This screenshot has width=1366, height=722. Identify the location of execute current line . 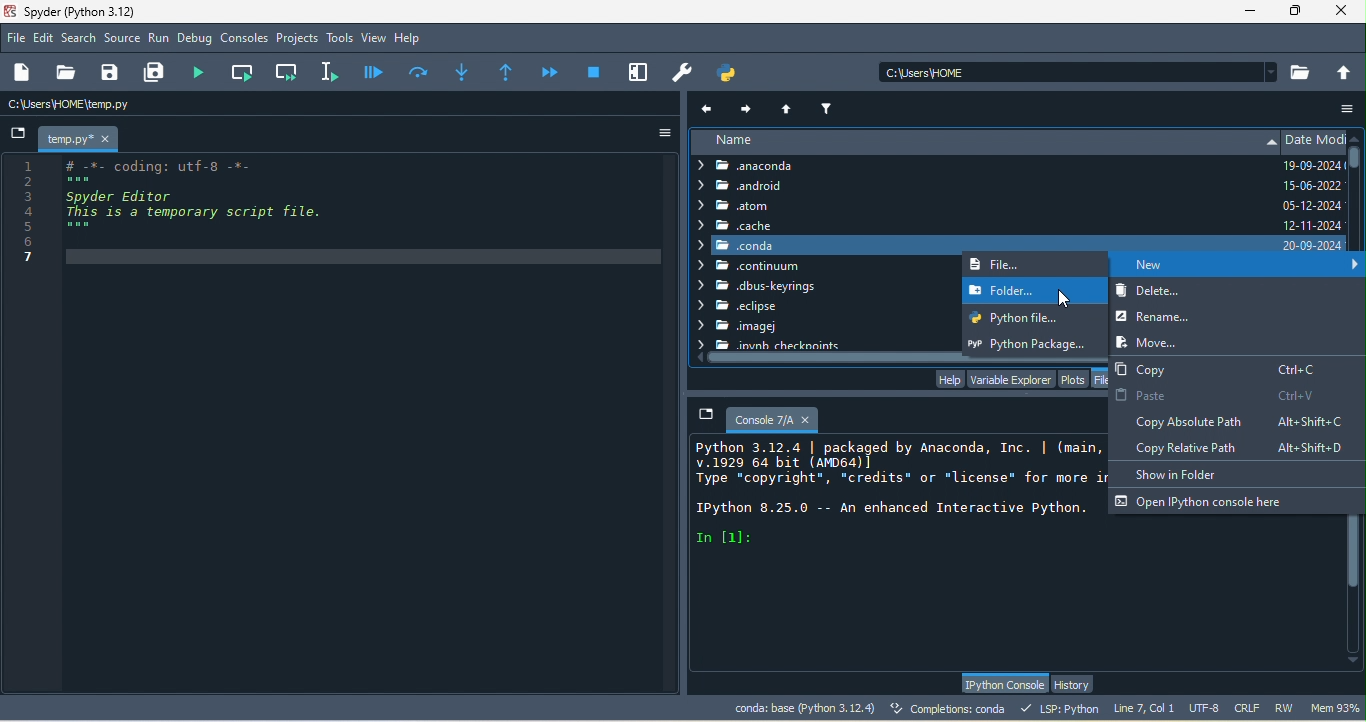
(420, 71).